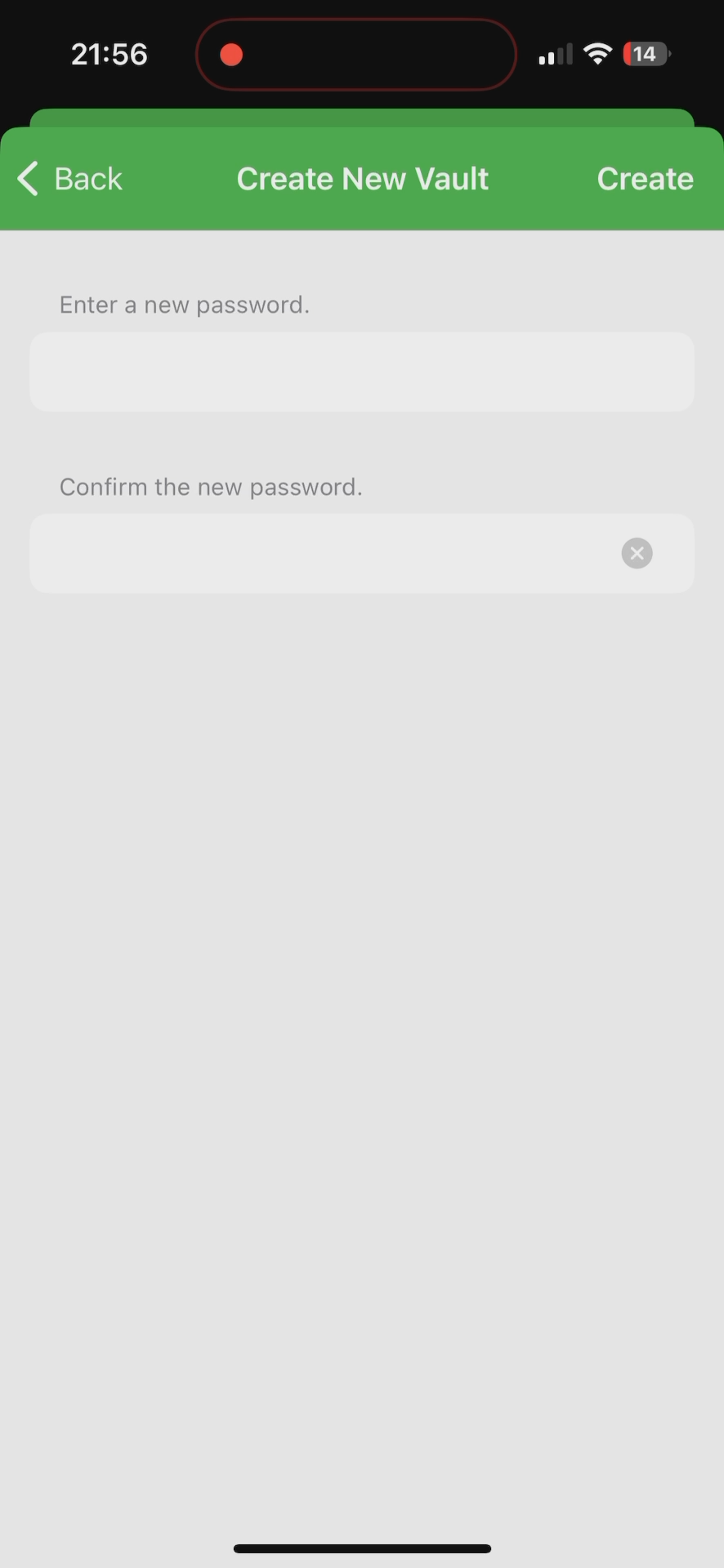 Image resolution: width=724 pixels, height=1568 pixels. Describe the element at coordinates (648, 552) in the screenshot. I see `close` at that location.